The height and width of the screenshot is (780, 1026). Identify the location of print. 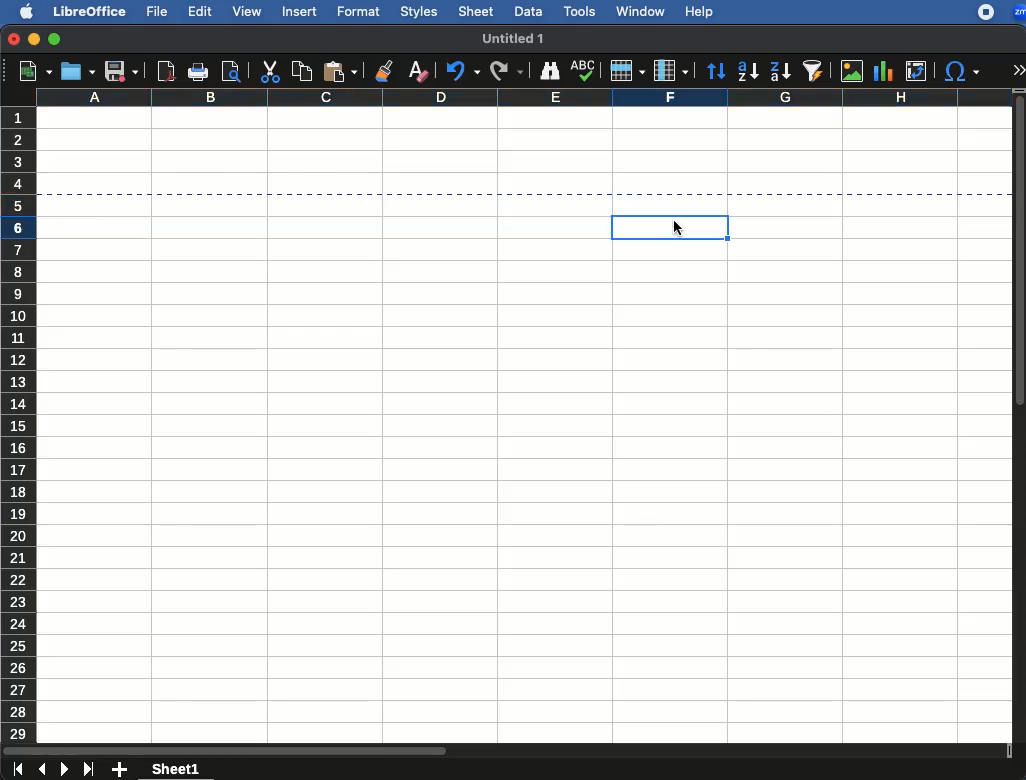
(199, 73).